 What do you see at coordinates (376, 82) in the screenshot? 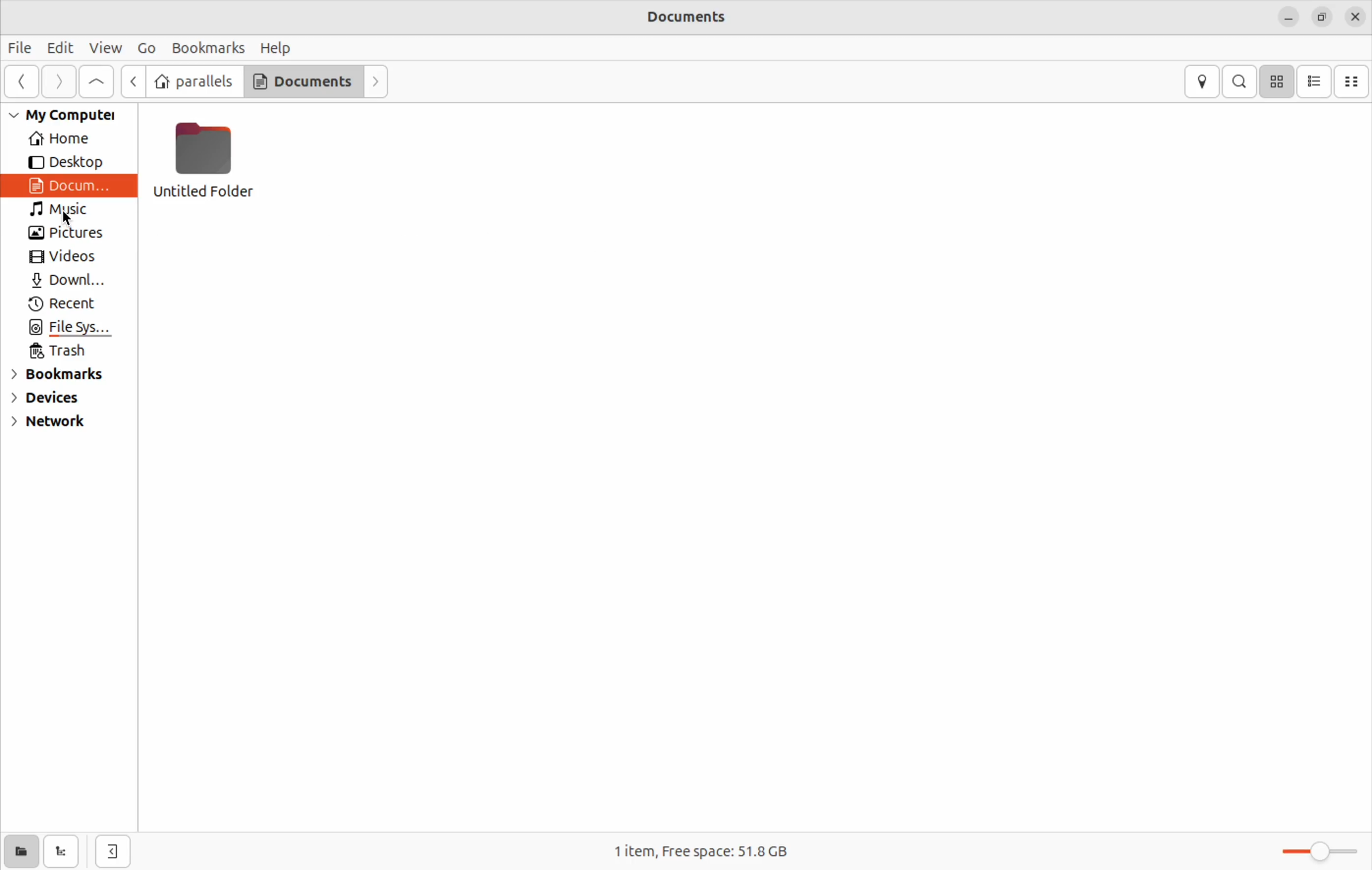
I see `next` at bounding box center [376, 82].